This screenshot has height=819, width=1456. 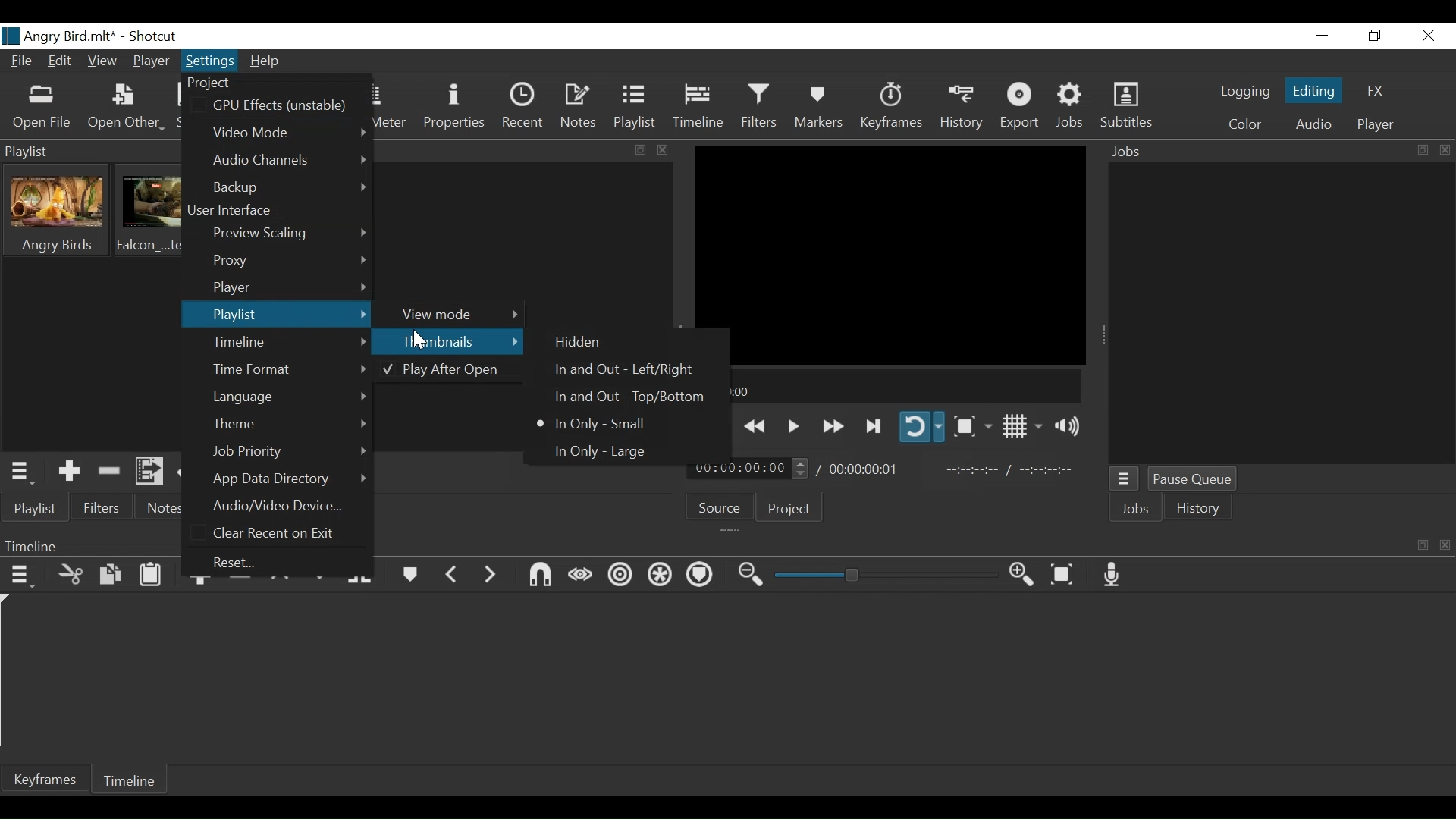 What do you see at coordinates (247, 562) in the screenshot?
I see `Reset` at bounding box center [247, 562].